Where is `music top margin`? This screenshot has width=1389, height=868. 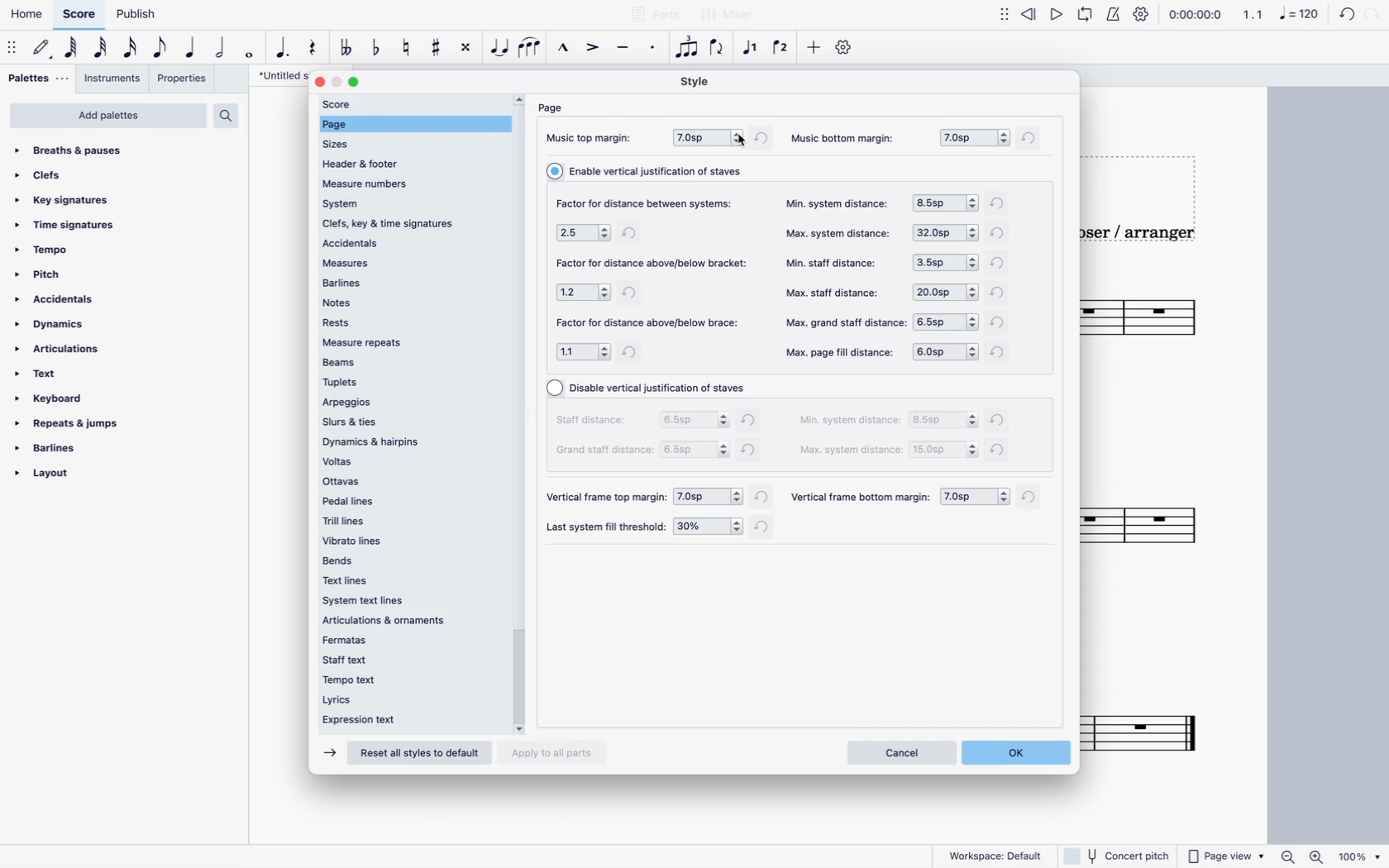 music top margin is located at coordinates (594, 139).